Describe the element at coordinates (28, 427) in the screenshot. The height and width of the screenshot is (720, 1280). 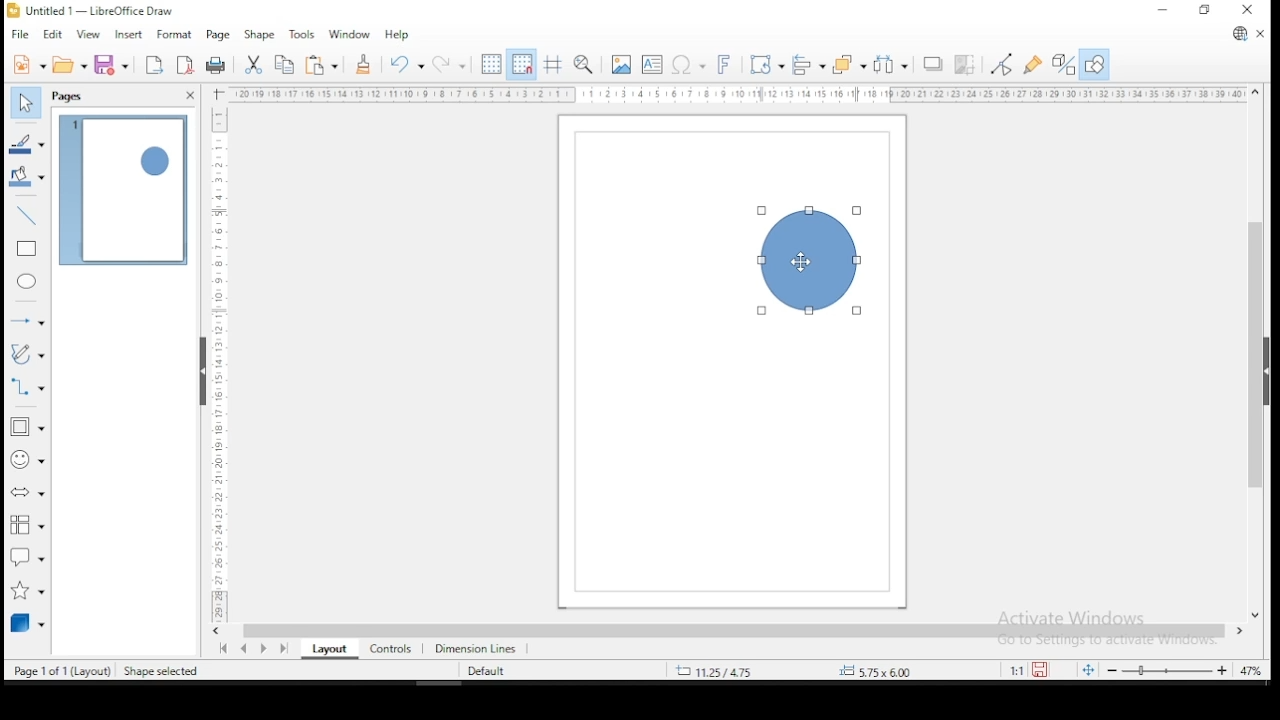
I see `simple shapes` at that location.